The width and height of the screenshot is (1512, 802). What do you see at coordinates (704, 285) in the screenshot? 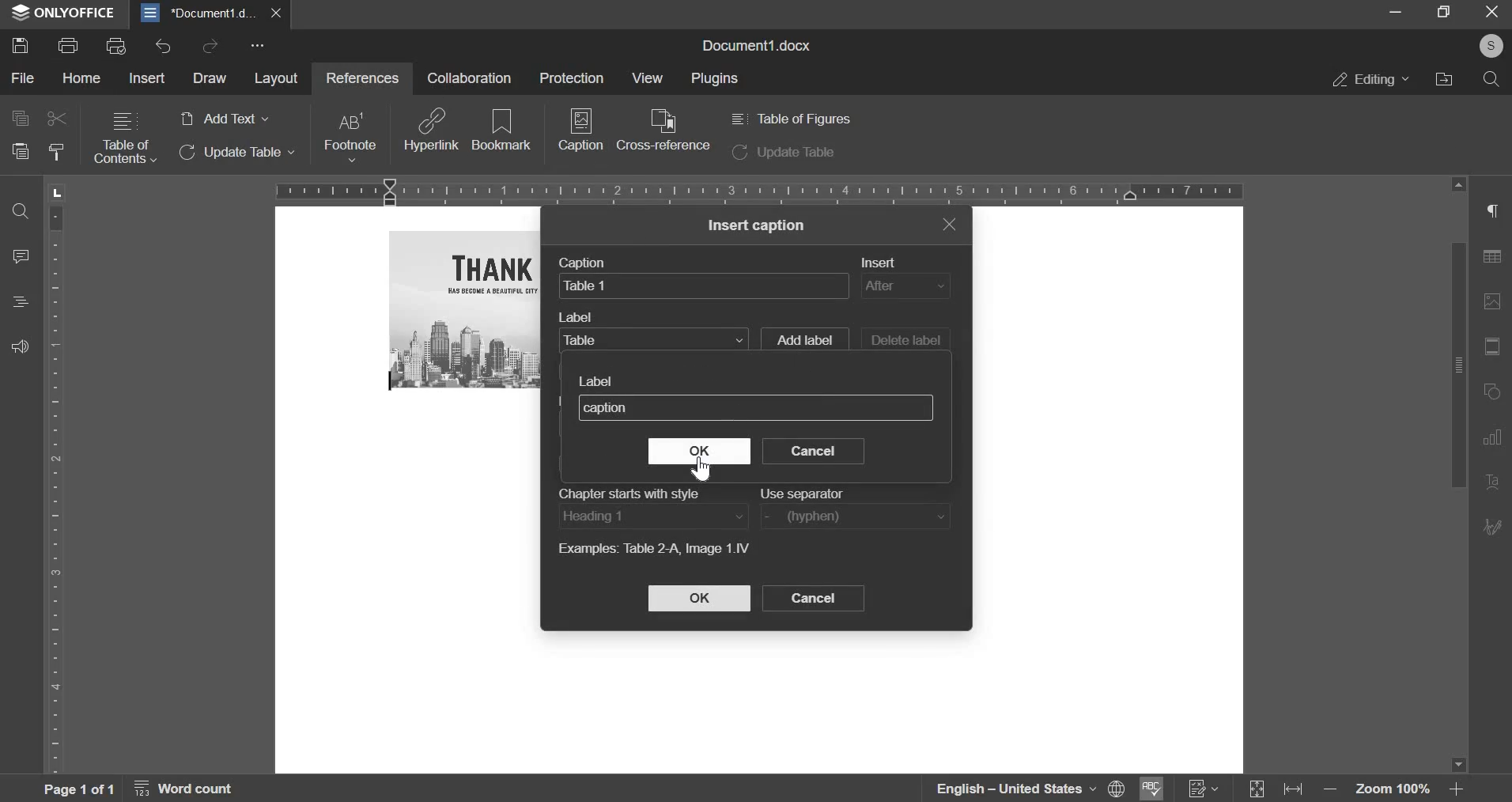
I see `caption` at bounding box center [704, 285].